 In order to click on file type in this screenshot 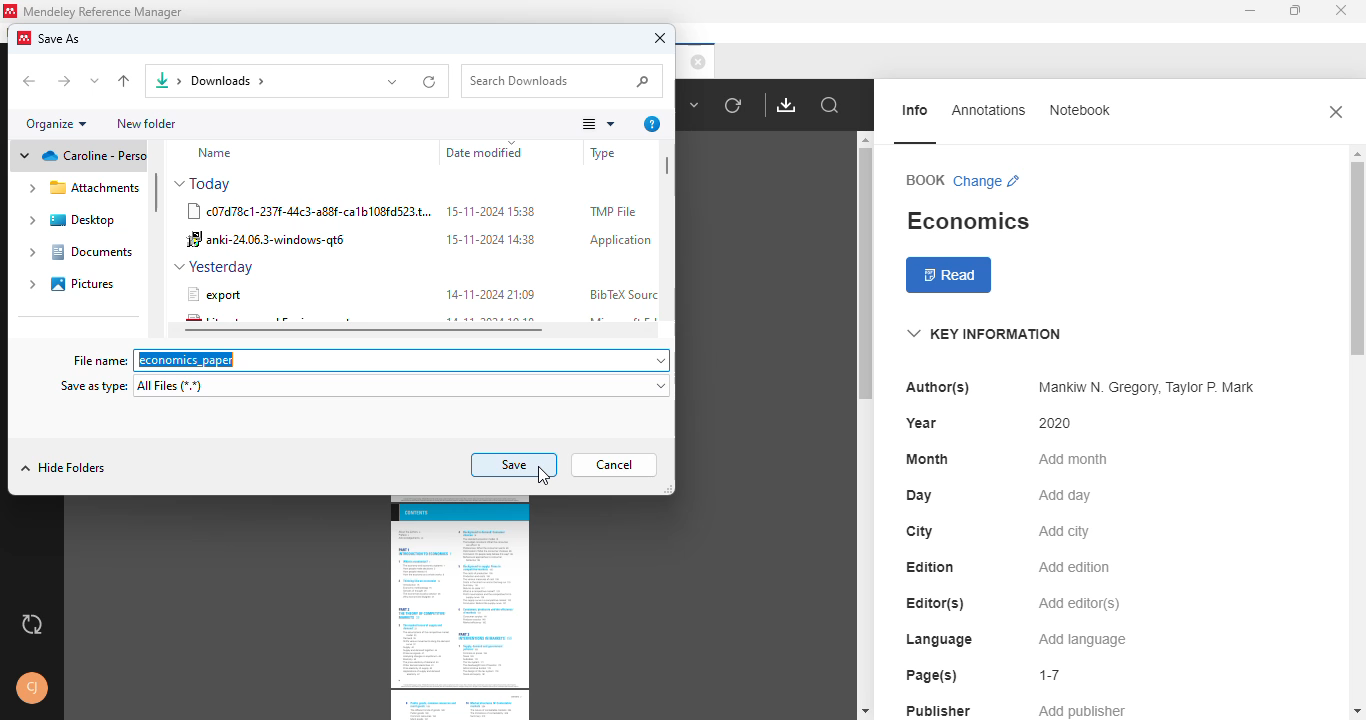, I will do `click(621, 152)`.